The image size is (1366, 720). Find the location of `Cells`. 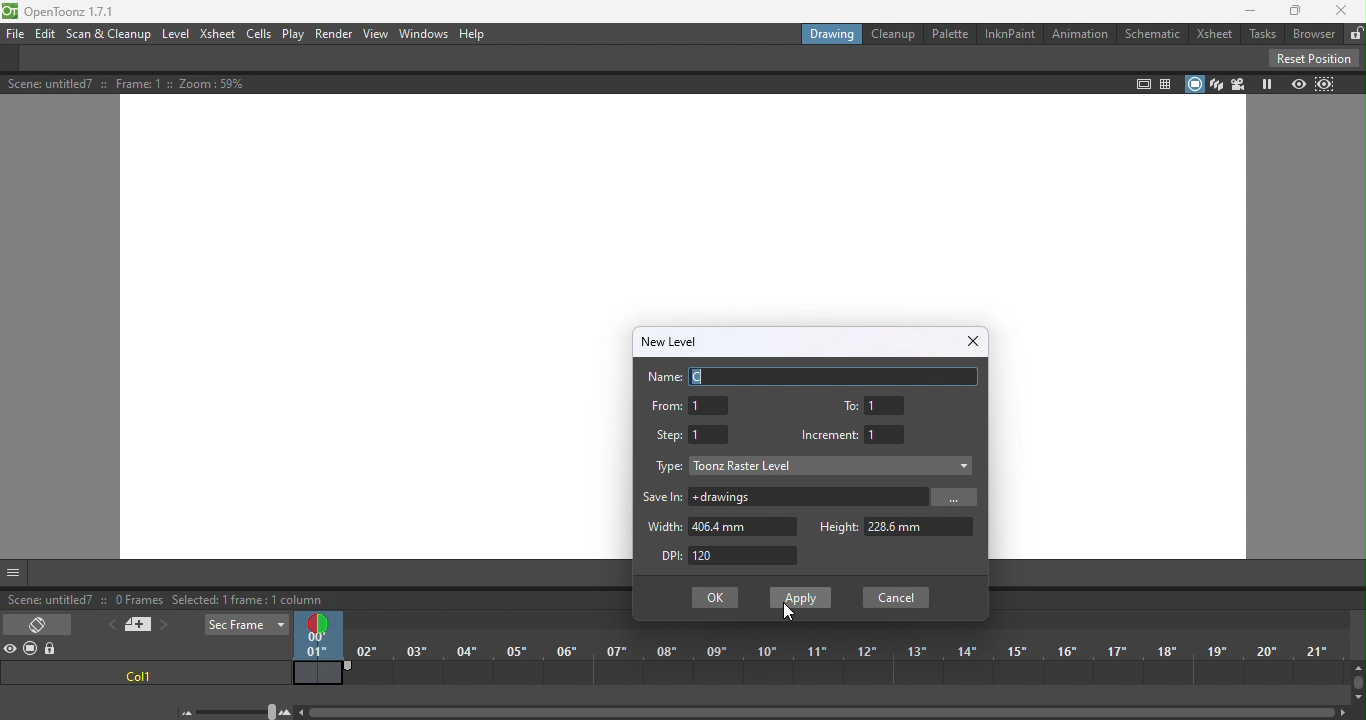

Cells is located at coordinates (258, 35).